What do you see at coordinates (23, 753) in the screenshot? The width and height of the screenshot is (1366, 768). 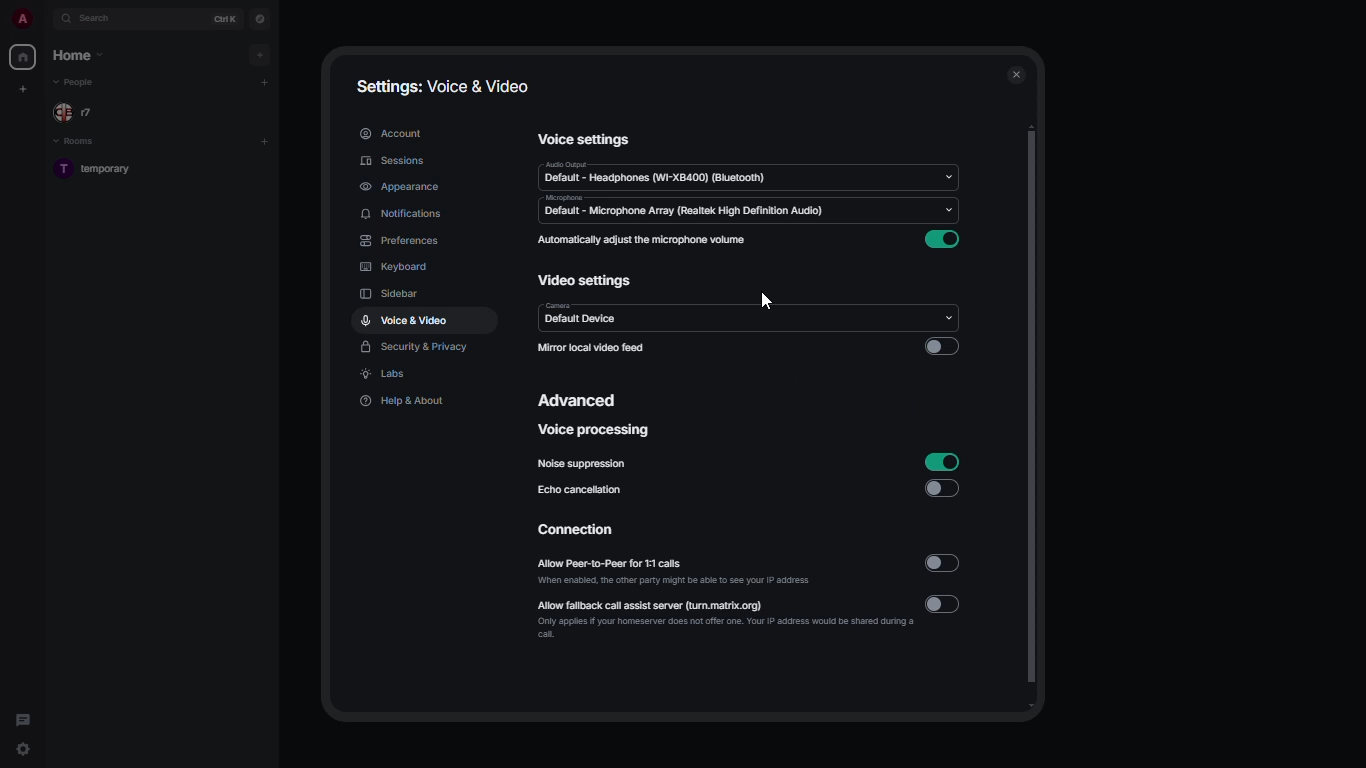 I see `quick settings` at bounding box center [23, 753].